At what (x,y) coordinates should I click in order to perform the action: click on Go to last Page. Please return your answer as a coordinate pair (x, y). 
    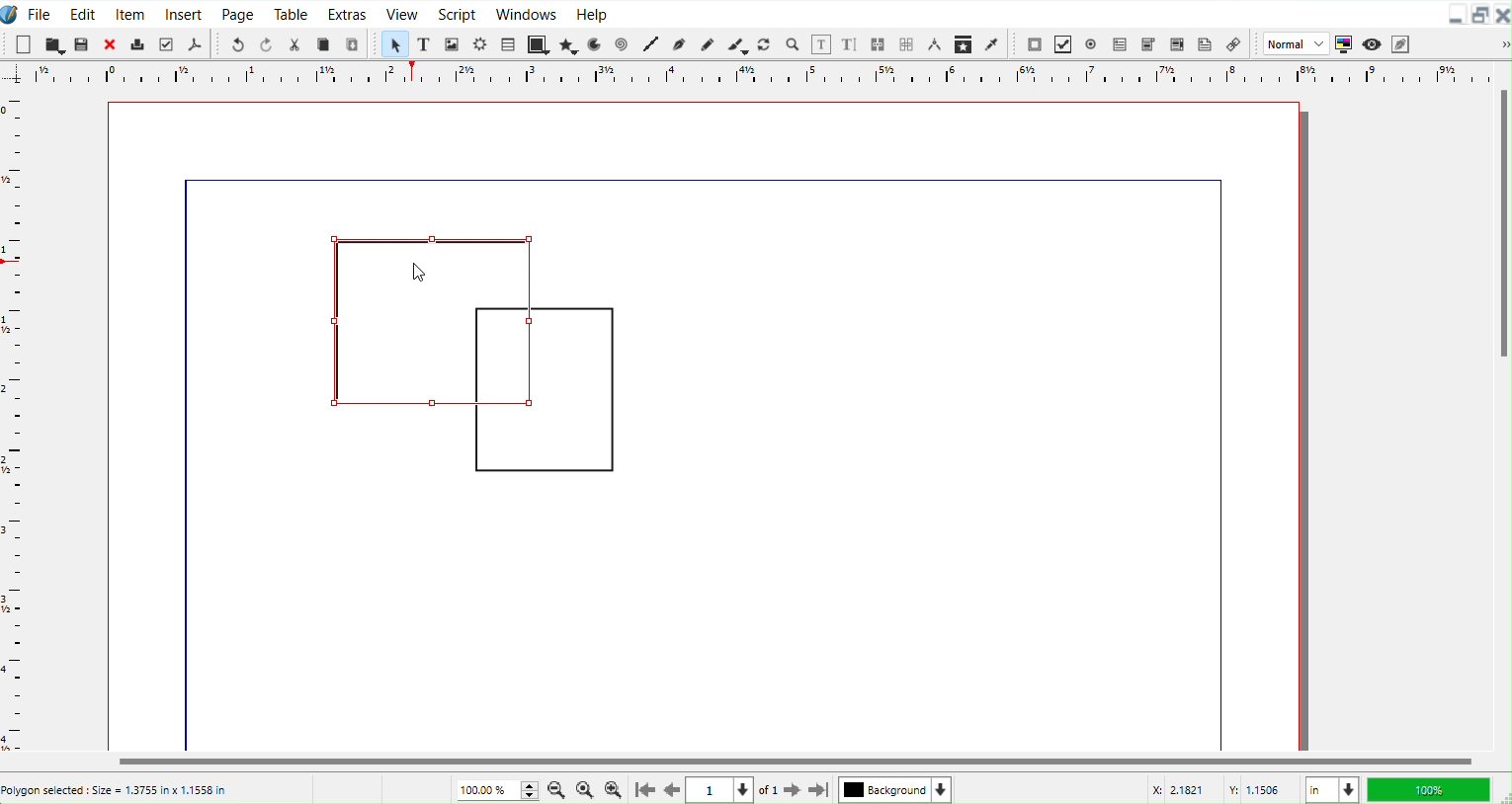
    Looking at the image, I should click on (820, 792).